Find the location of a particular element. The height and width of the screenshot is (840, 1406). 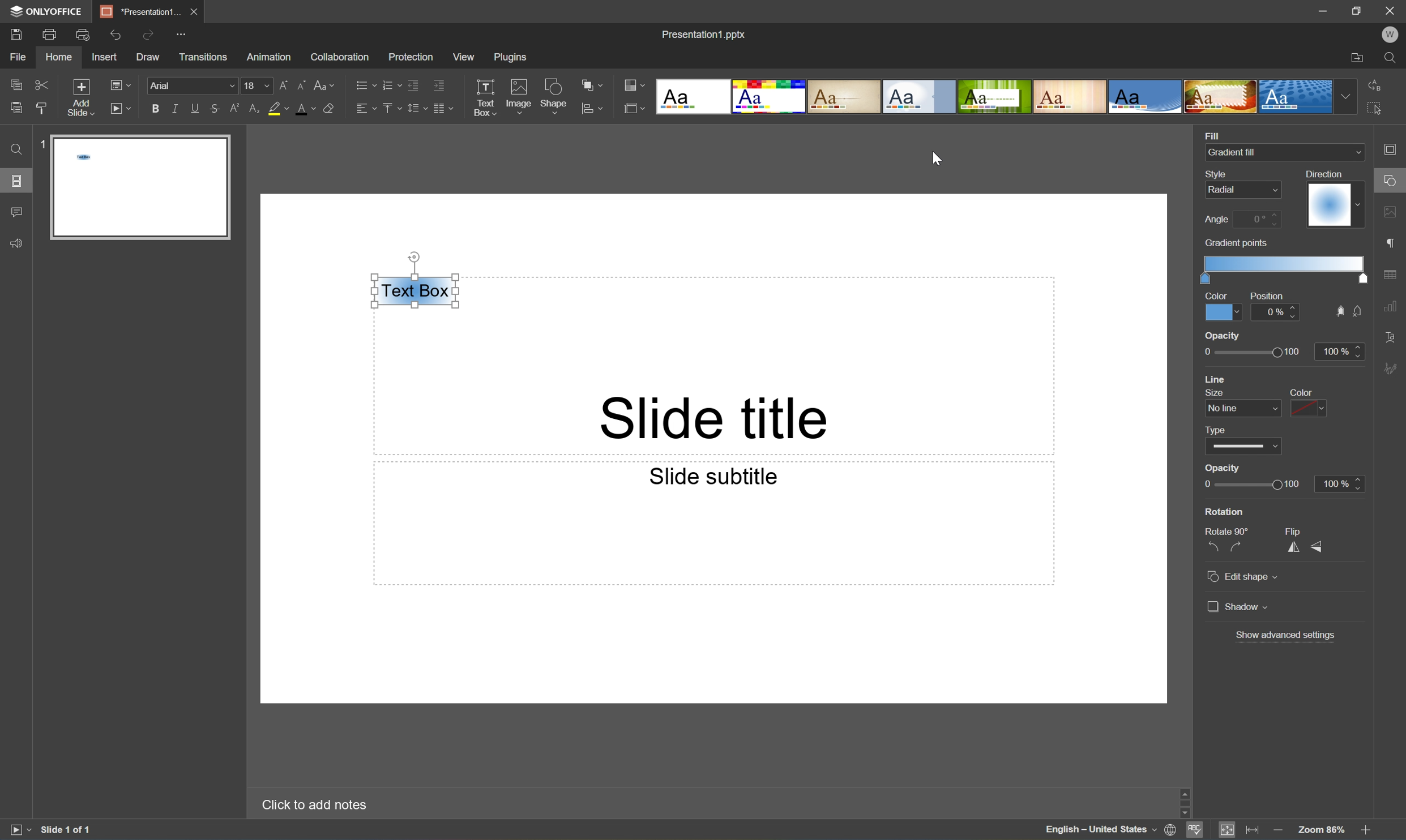

Fit to width is located at coordinates (1253, 829).